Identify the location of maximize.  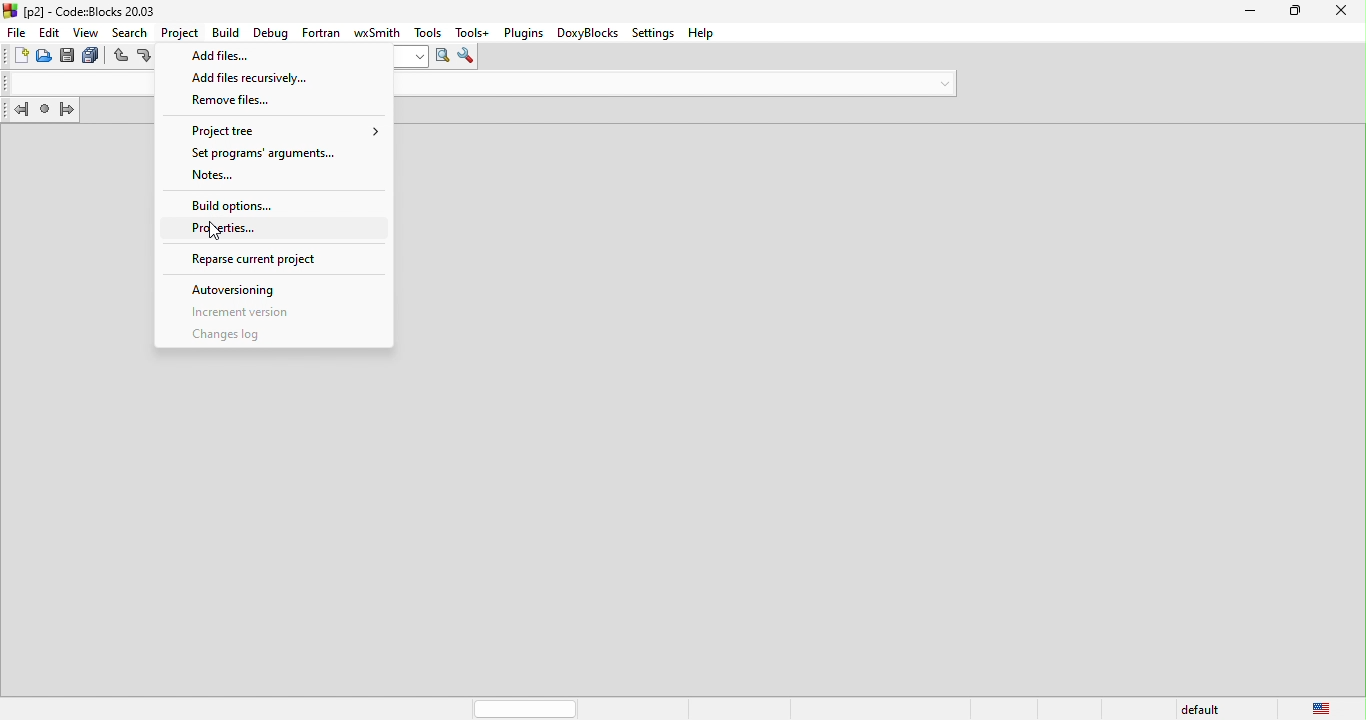
(1296, 12).